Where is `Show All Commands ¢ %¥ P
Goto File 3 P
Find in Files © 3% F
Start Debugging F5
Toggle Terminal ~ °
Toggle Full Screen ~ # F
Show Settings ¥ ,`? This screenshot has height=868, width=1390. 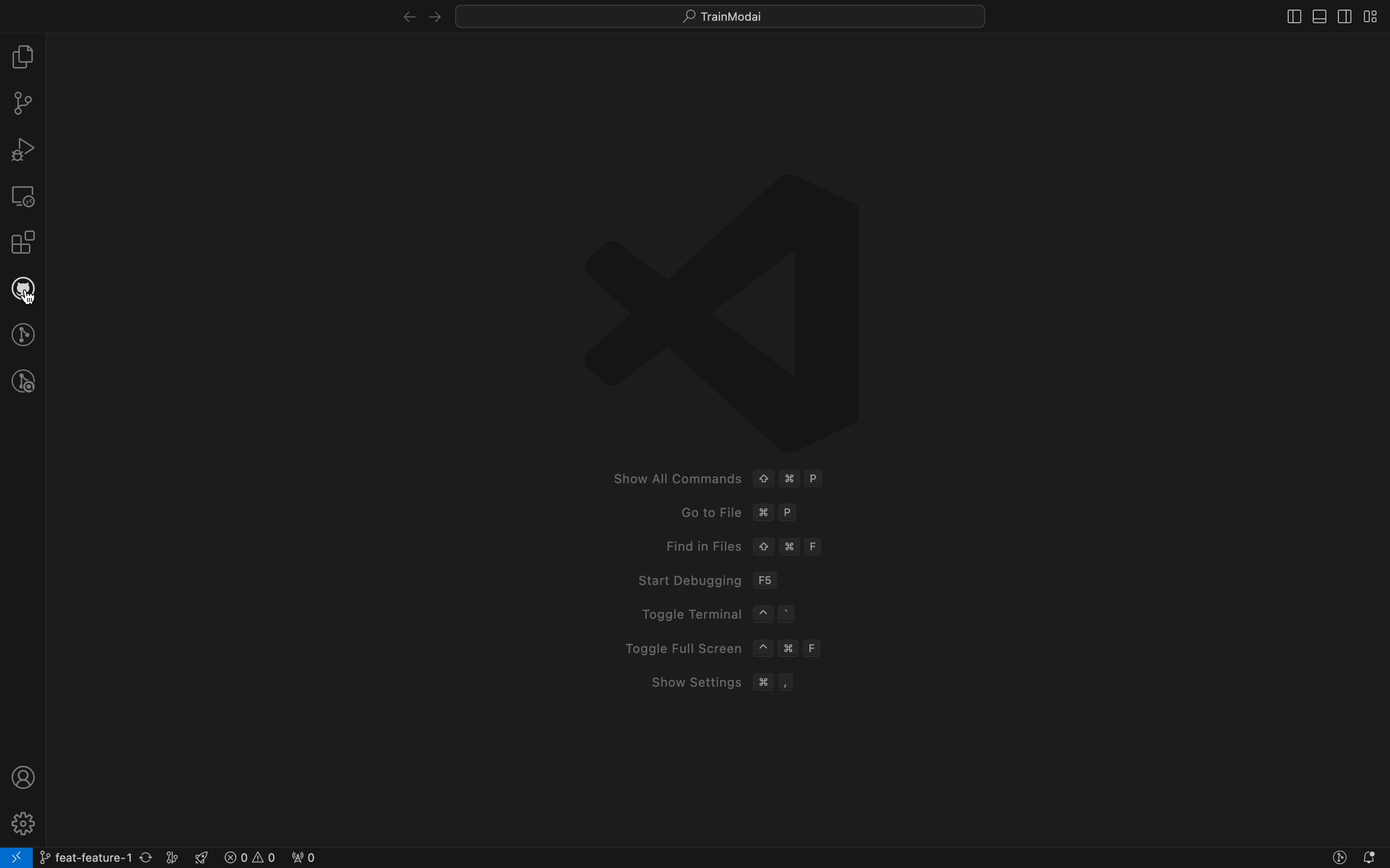 Show All Commands ¢ %¥ P
Goto File 3 P
Find in Files © 3% F
Start Debugging F5
Toggle Terminal ~ °
Toggle Full Screen ~ # F
Show Settings ¥ , is located at coordinates (716, 424).